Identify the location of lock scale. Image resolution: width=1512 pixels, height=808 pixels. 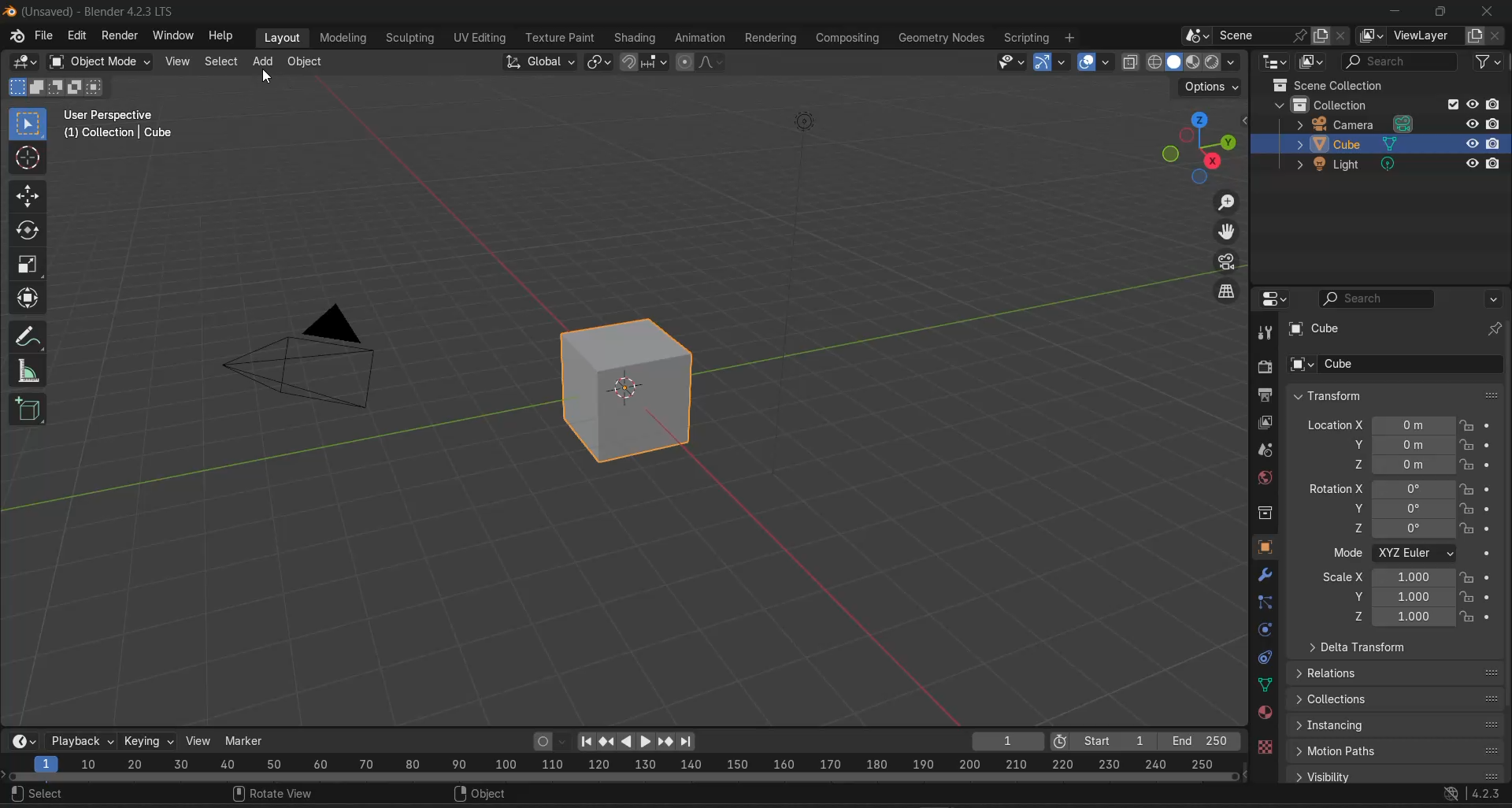
(1467, 578).